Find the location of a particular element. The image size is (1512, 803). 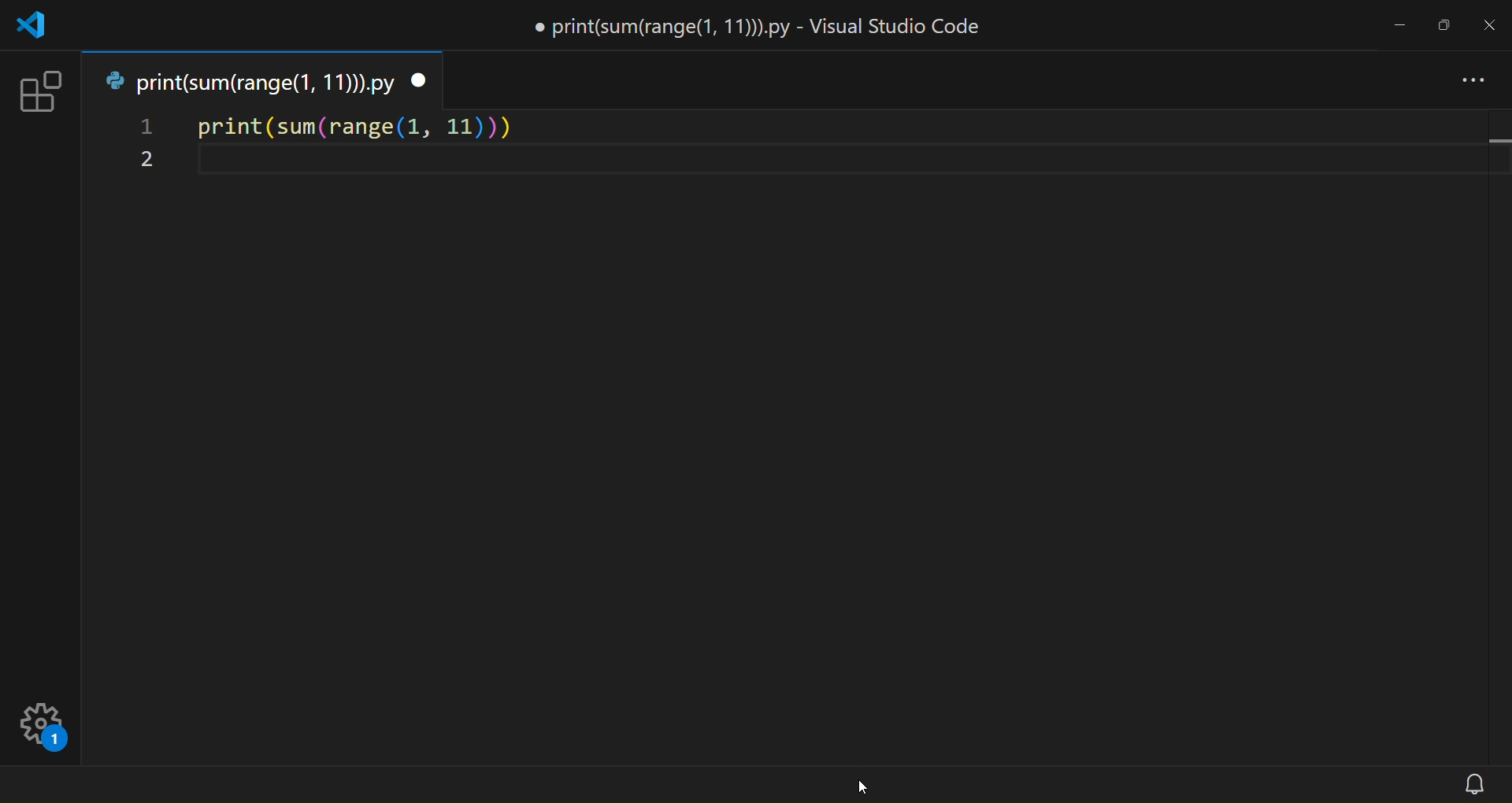

cursor is located at coordinates (860, 783).